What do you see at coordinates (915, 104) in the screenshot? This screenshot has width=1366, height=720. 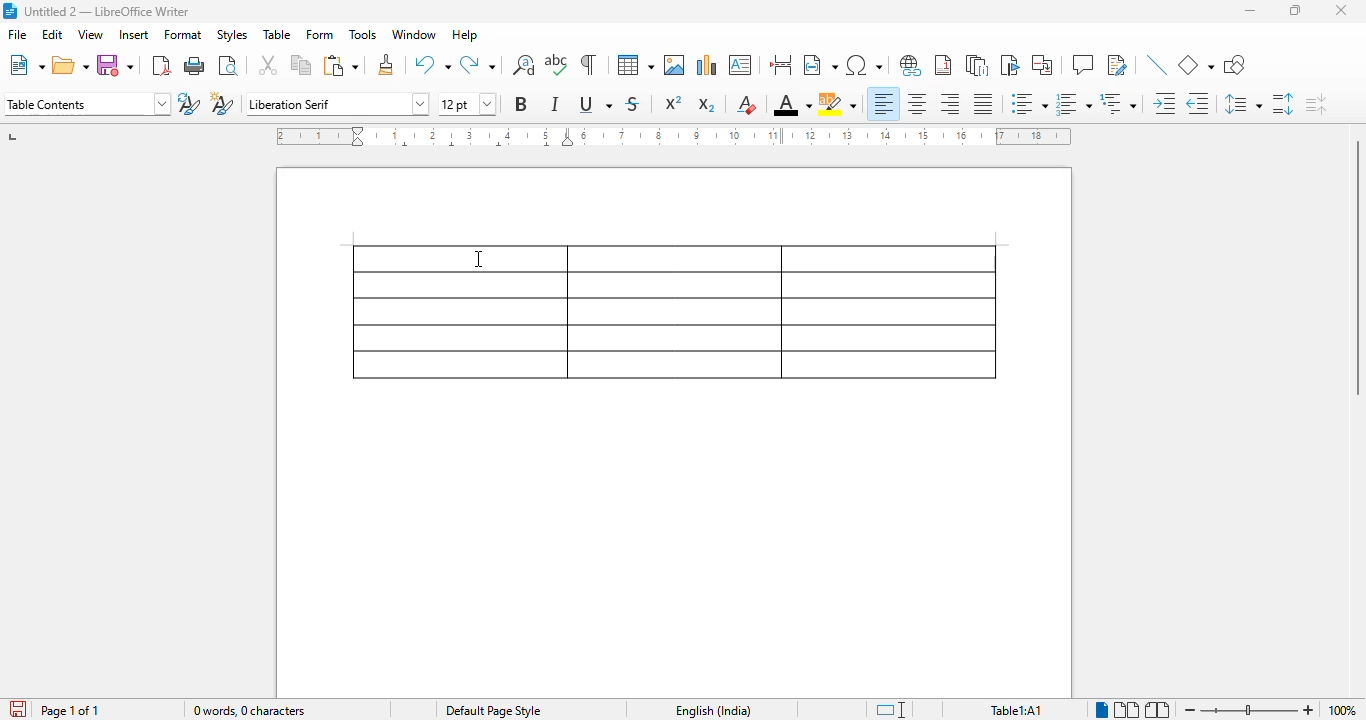 I see `align center` at bounding box center [915, 104].